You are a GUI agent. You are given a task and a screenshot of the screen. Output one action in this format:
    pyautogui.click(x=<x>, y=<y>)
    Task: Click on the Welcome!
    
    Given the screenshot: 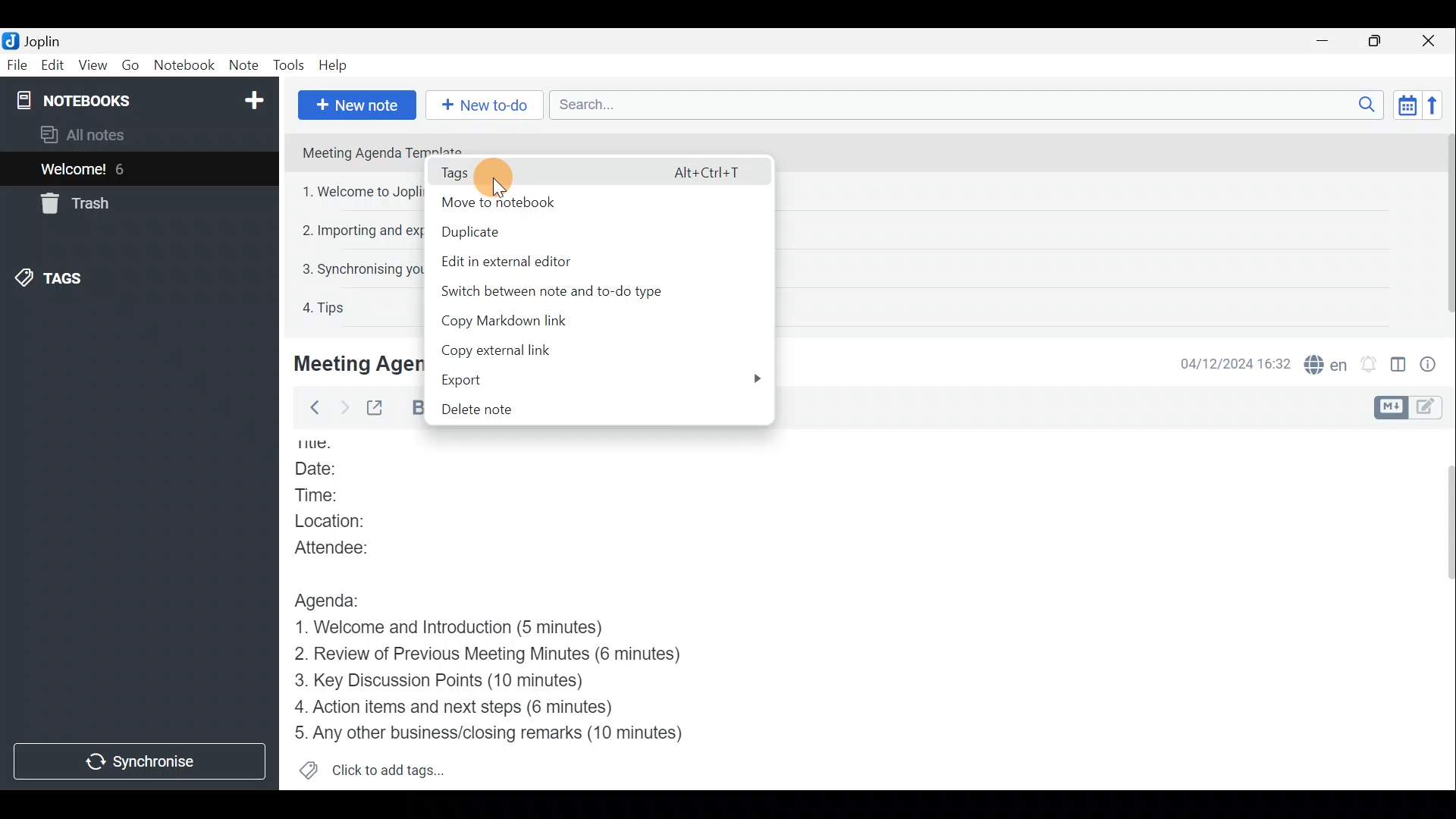 What is the action you would take?
    pyautogui.click(x=74, y=171)
    